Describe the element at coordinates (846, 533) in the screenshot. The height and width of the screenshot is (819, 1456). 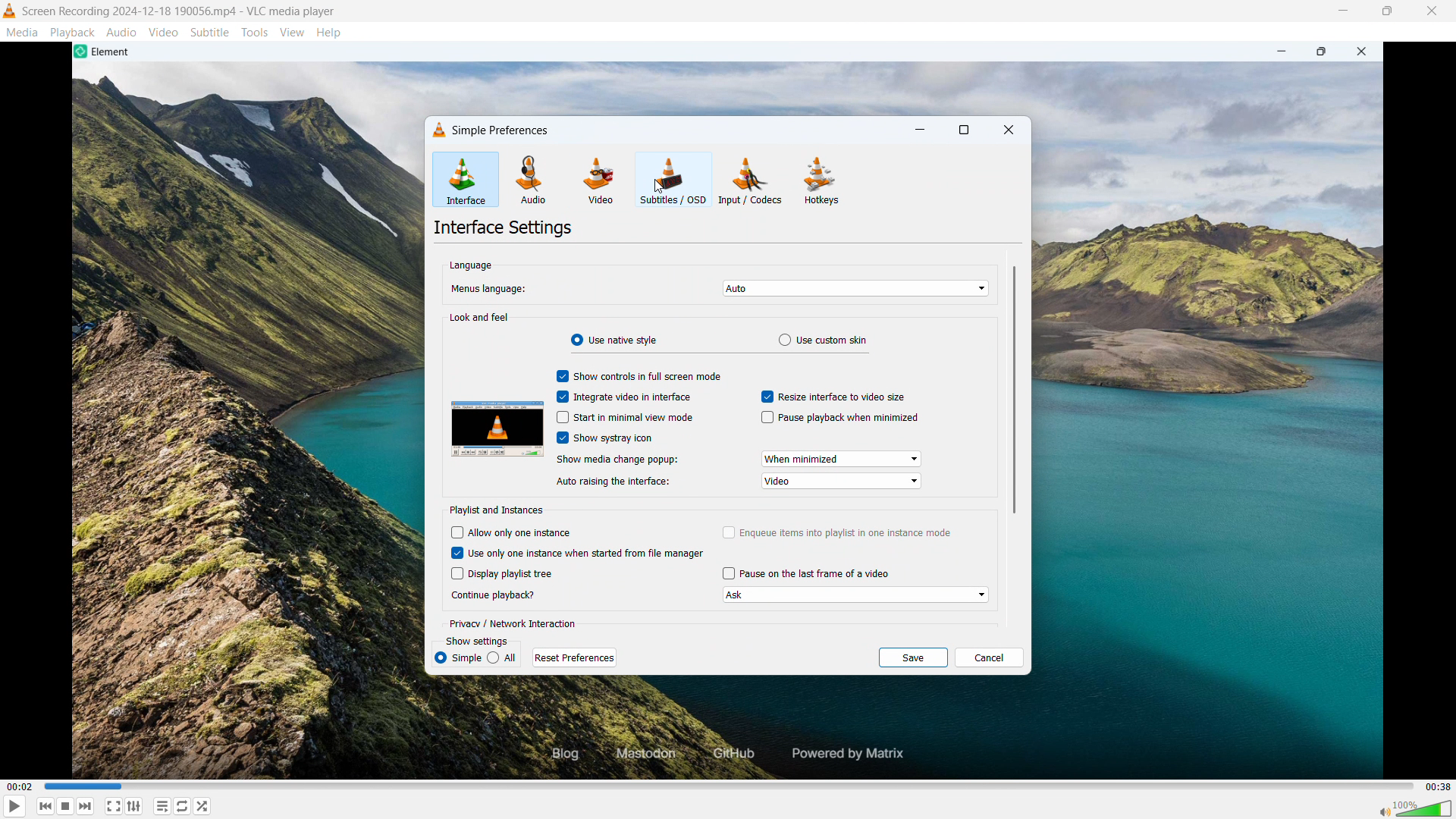
I see `Enqueue items into playlist in one instance mode ` at that location.